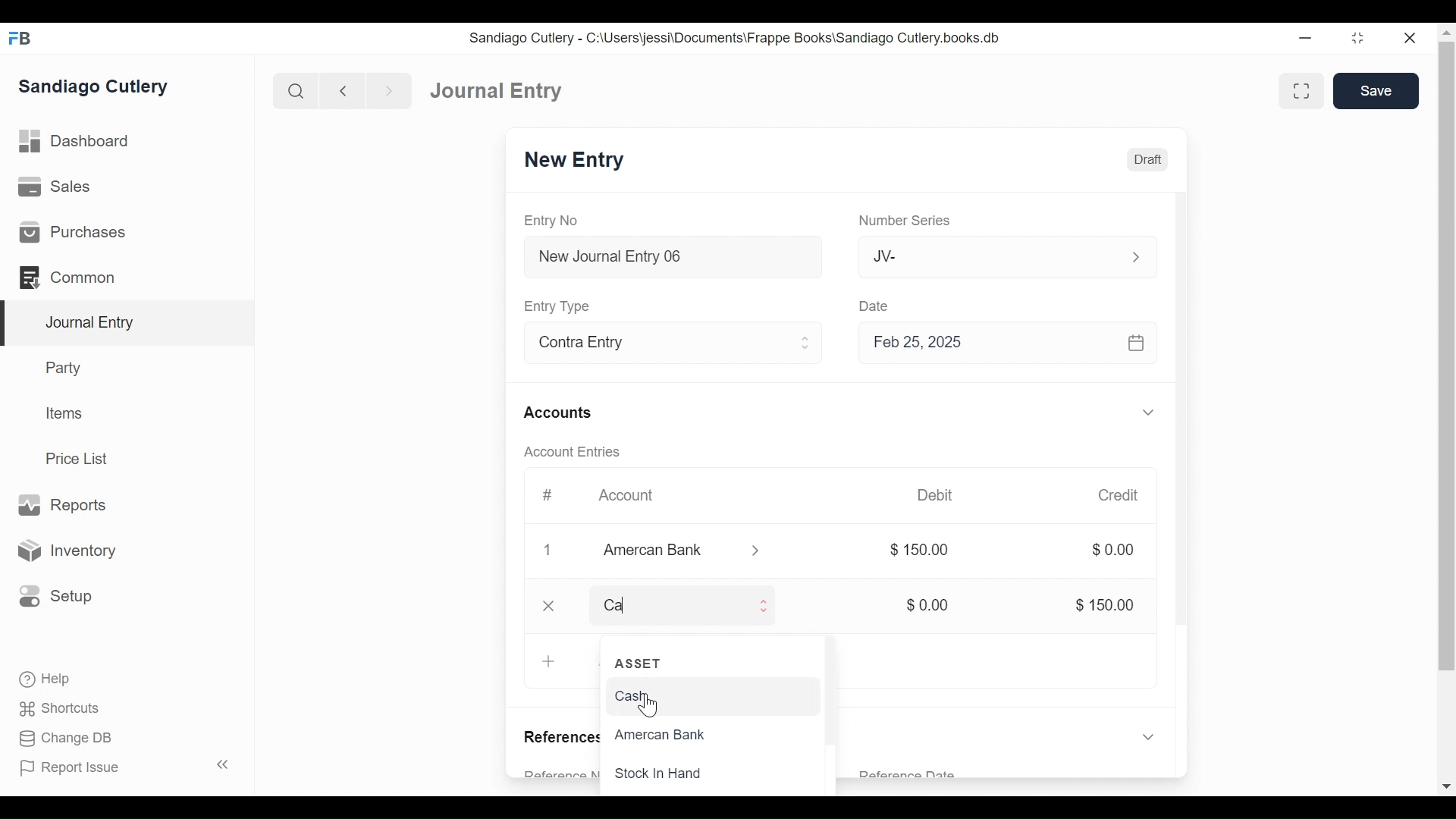 The width and height of the screenshot is (1456, 819). I want to click on Account, so click(629, 495).